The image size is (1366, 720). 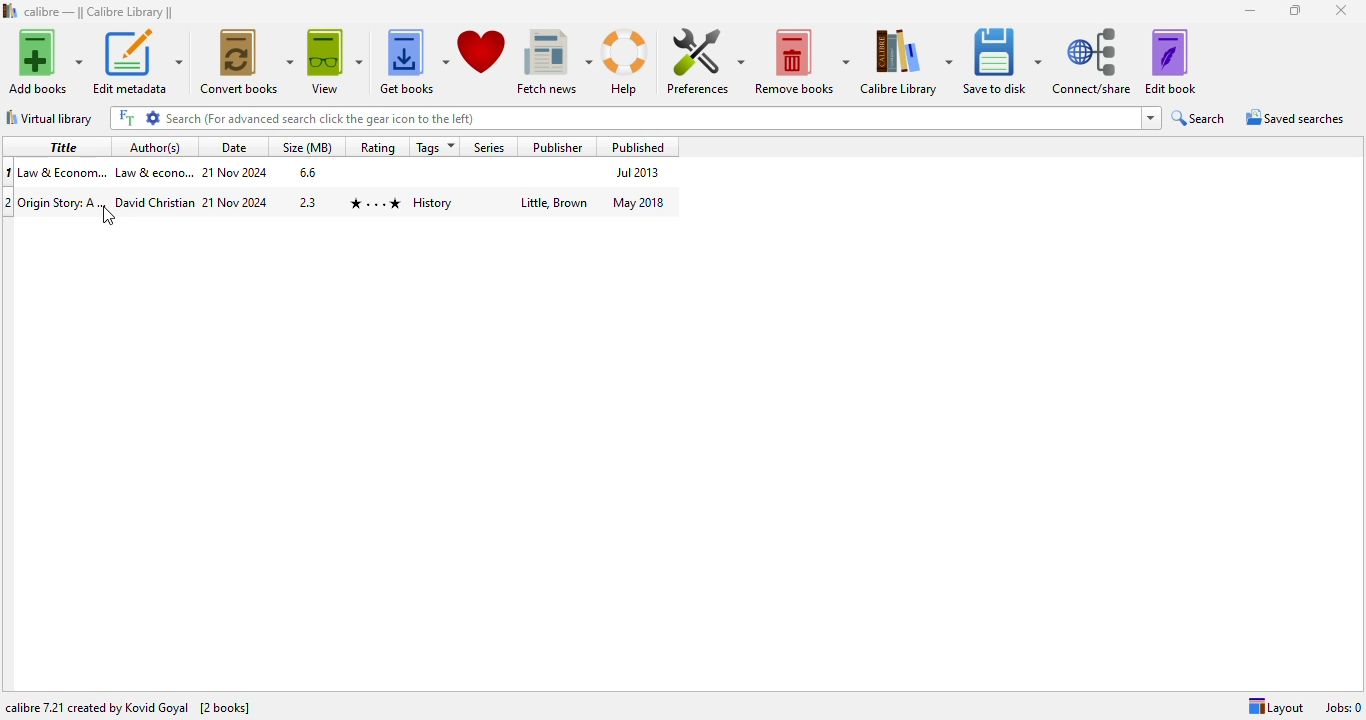 I want to click on add books, so click(x=44, y=61).